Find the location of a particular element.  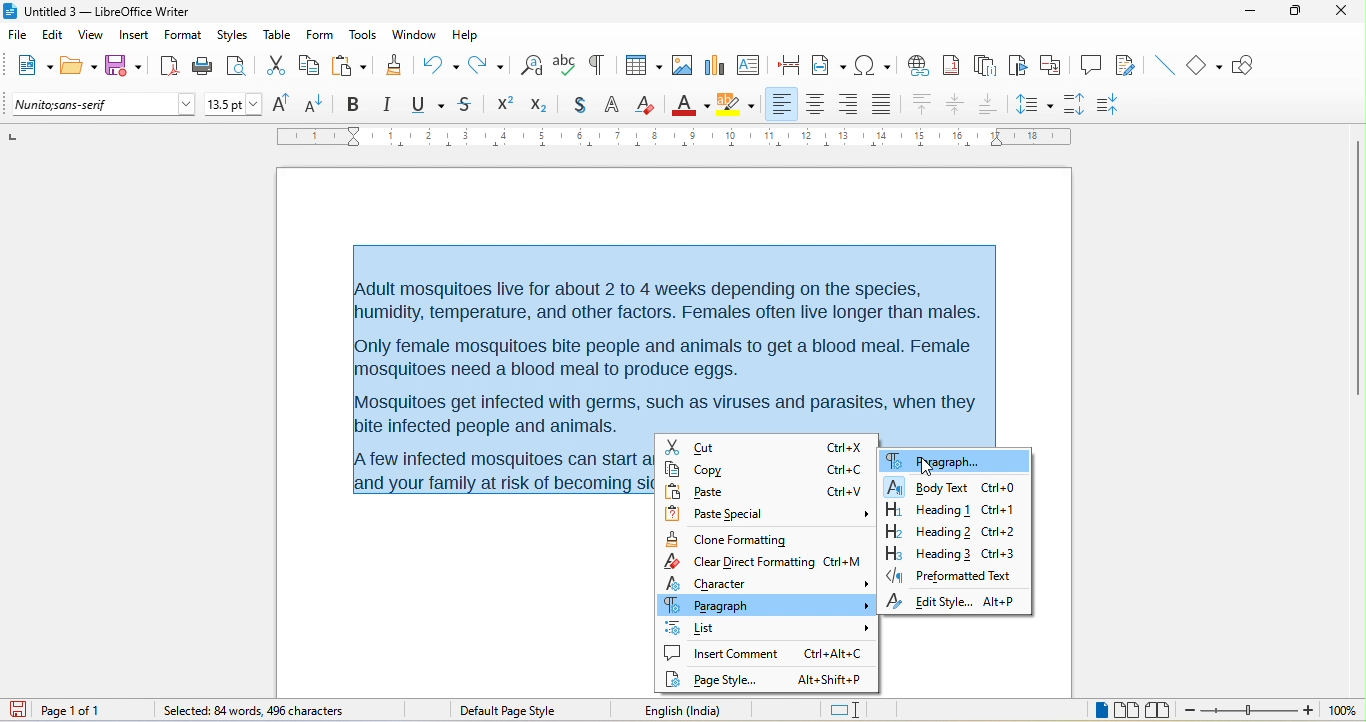

basic shapes is located at coordinates (1206, 66).